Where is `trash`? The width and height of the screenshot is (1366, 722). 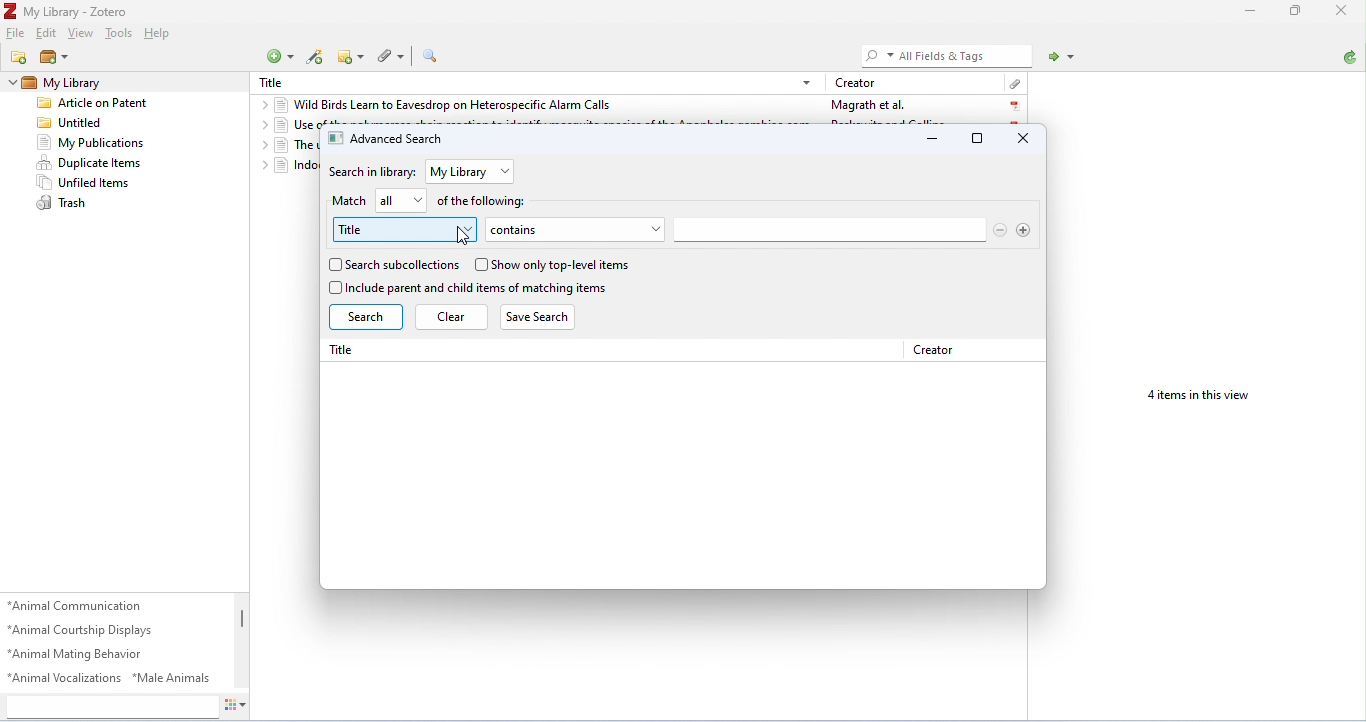 trash is located at coordinates (63, 204).